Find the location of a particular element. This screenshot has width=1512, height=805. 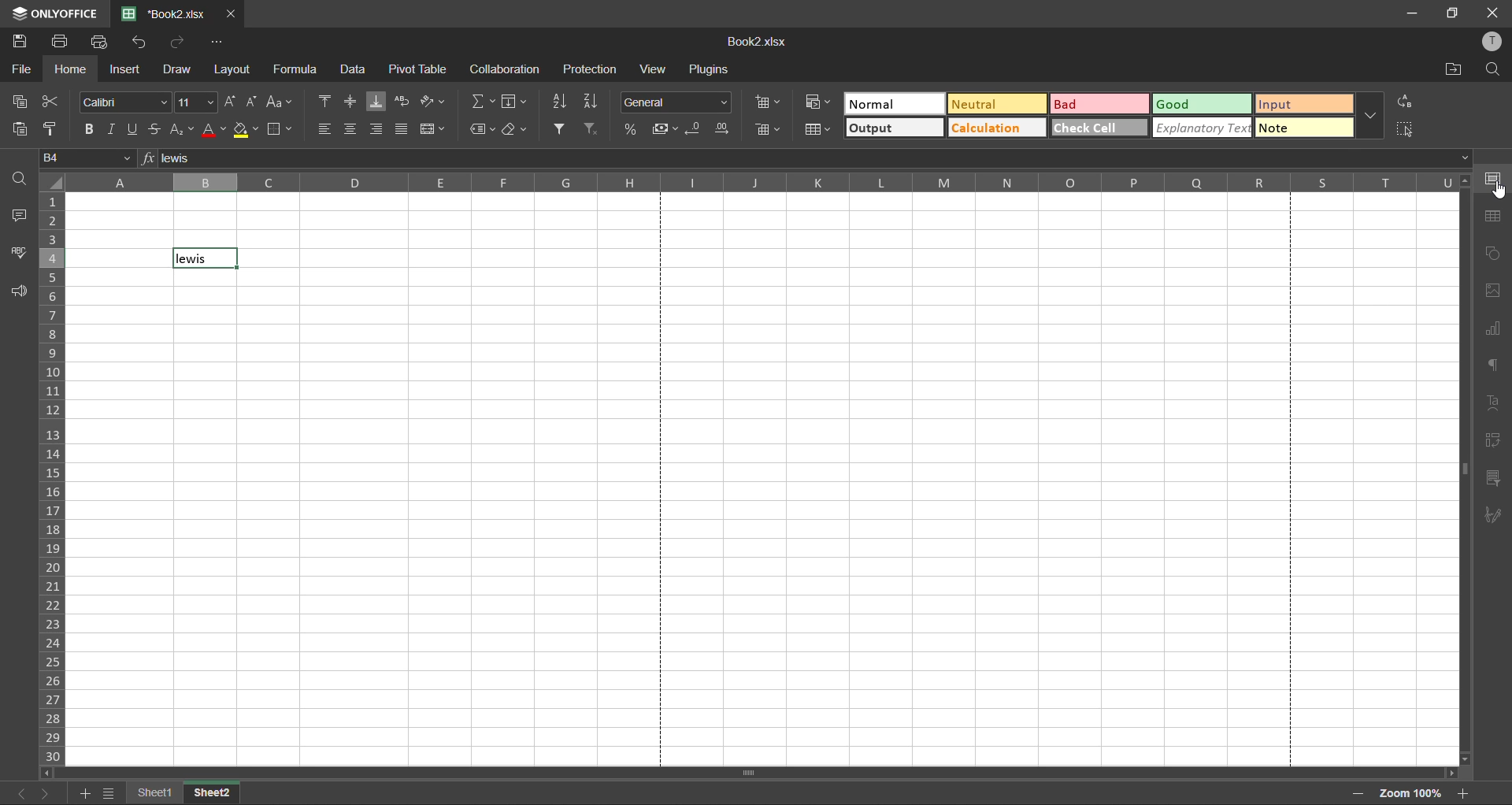

comments is located at coordinates (22, 218).